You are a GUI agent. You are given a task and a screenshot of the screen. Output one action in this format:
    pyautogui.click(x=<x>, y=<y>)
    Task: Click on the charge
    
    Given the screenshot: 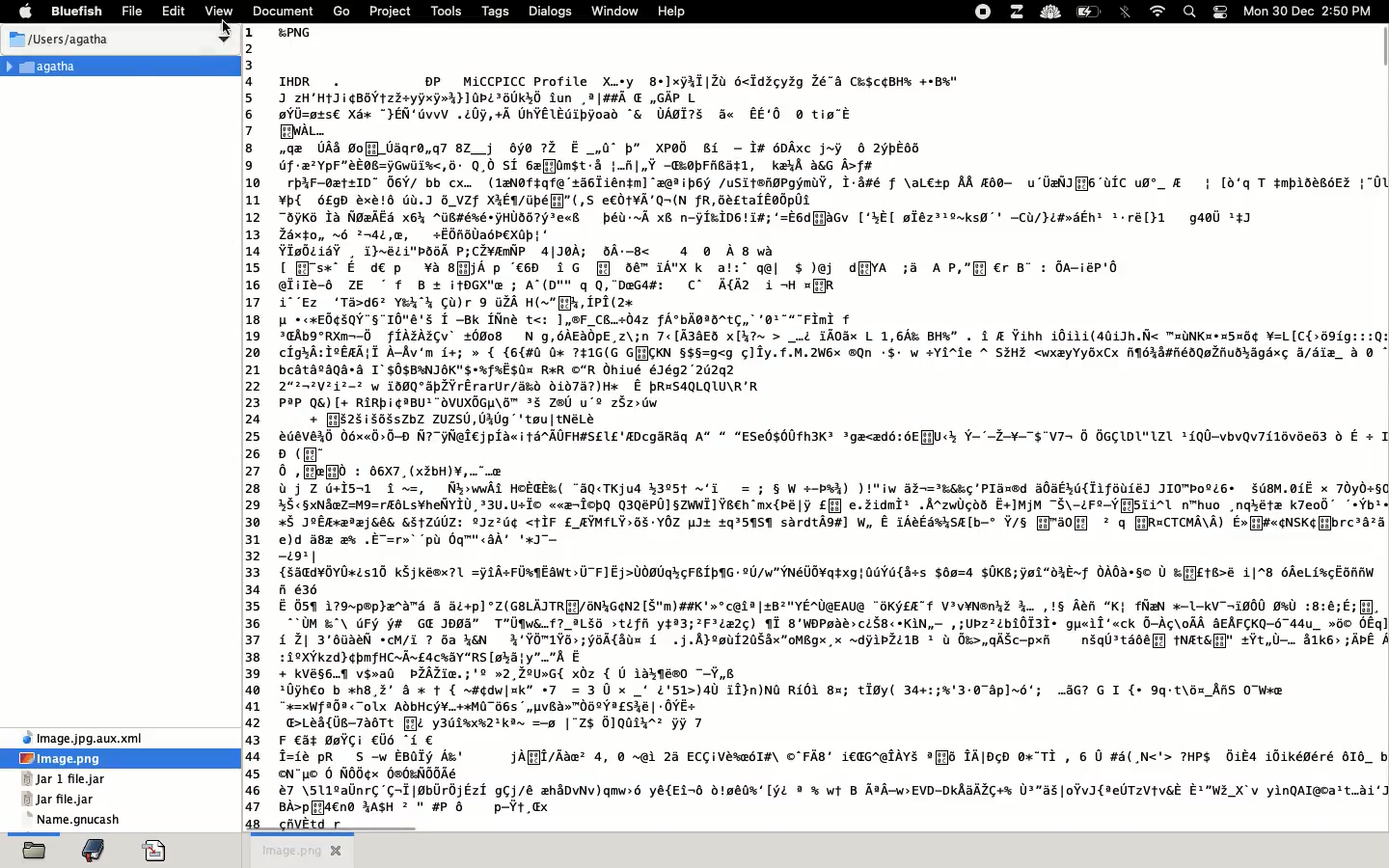 What is the action you would take?
    pyautogui.click(x=1089, y=12)
    